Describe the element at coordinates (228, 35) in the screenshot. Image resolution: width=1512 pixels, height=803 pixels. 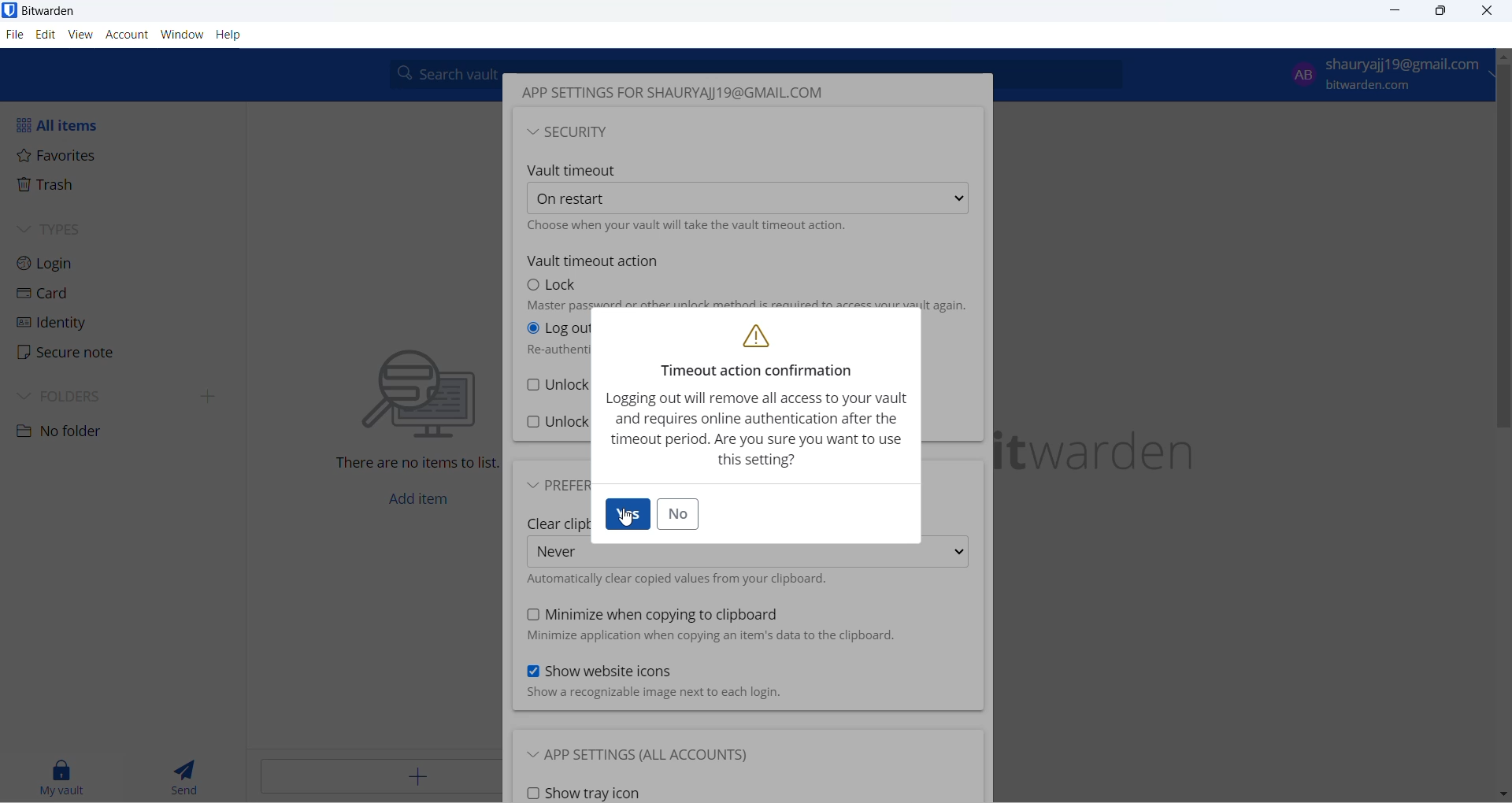
I see `Help` at that location.